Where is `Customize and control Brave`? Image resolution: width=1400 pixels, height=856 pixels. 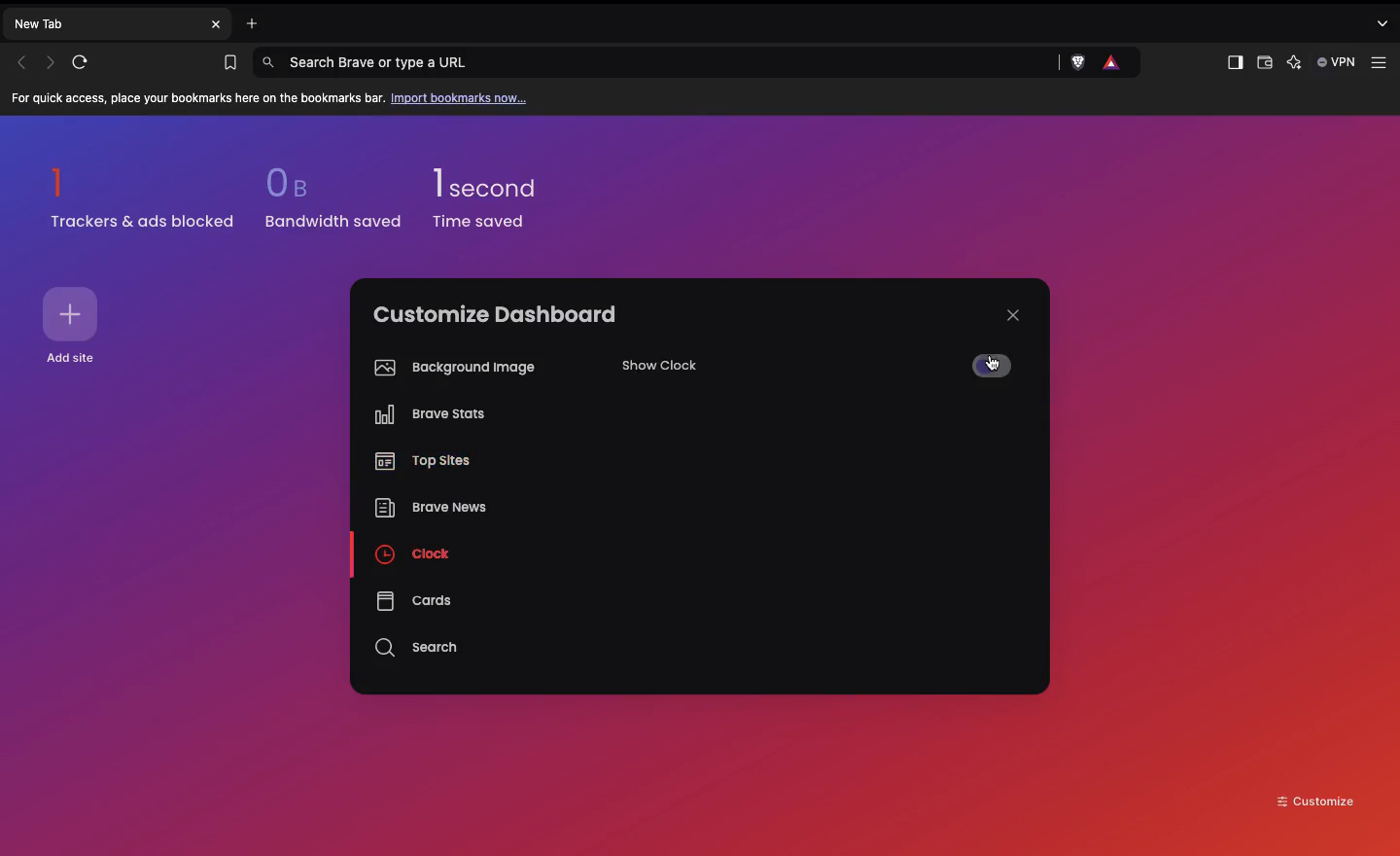 Customize and control Brave is located at coordinates (1380, 63).